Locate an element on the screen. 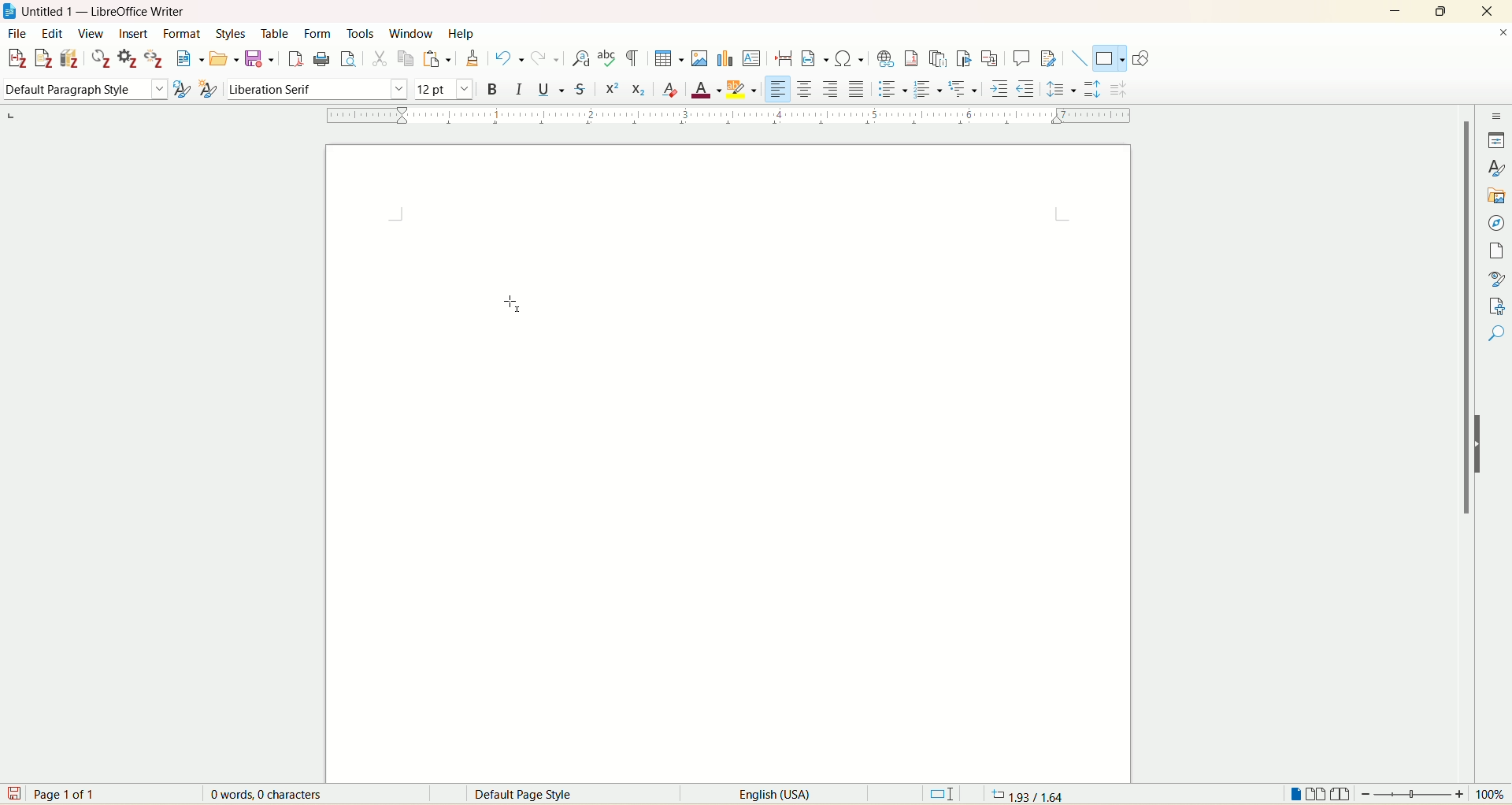  update style from selection is located at coordinates (181, 88).